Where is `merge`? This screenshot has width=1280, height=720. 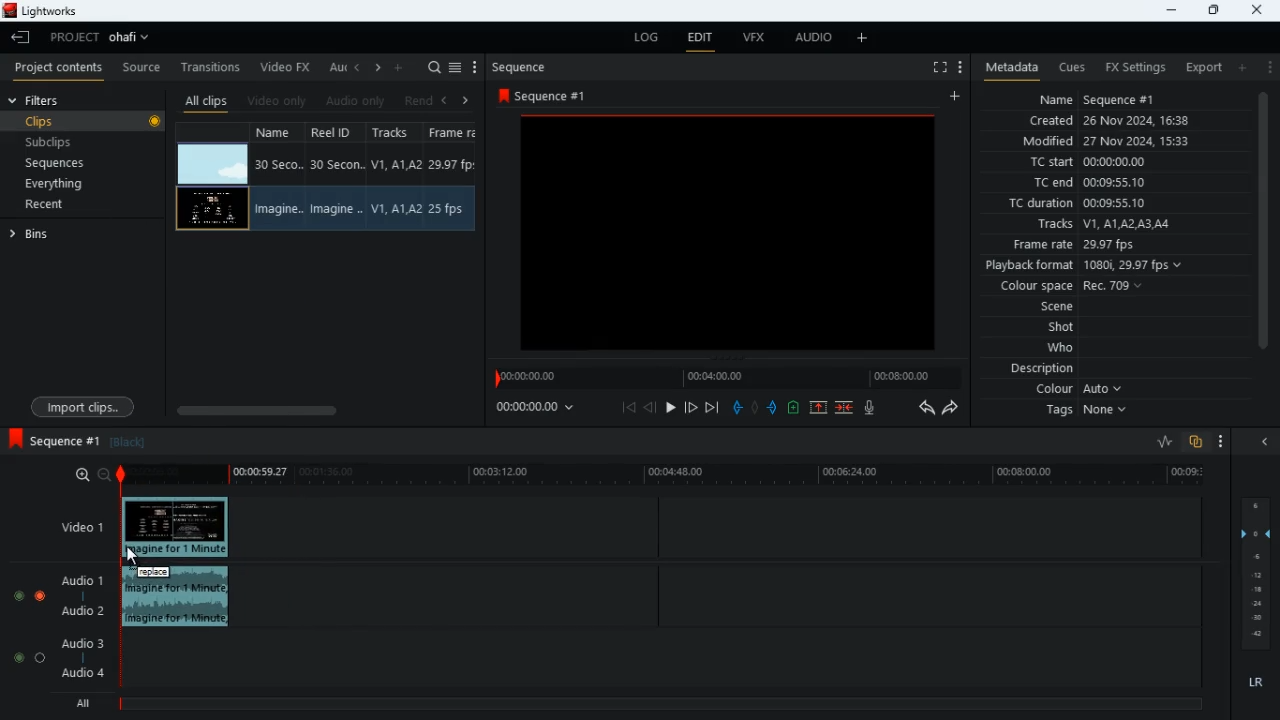
merge is located at coordinates (845, 406).